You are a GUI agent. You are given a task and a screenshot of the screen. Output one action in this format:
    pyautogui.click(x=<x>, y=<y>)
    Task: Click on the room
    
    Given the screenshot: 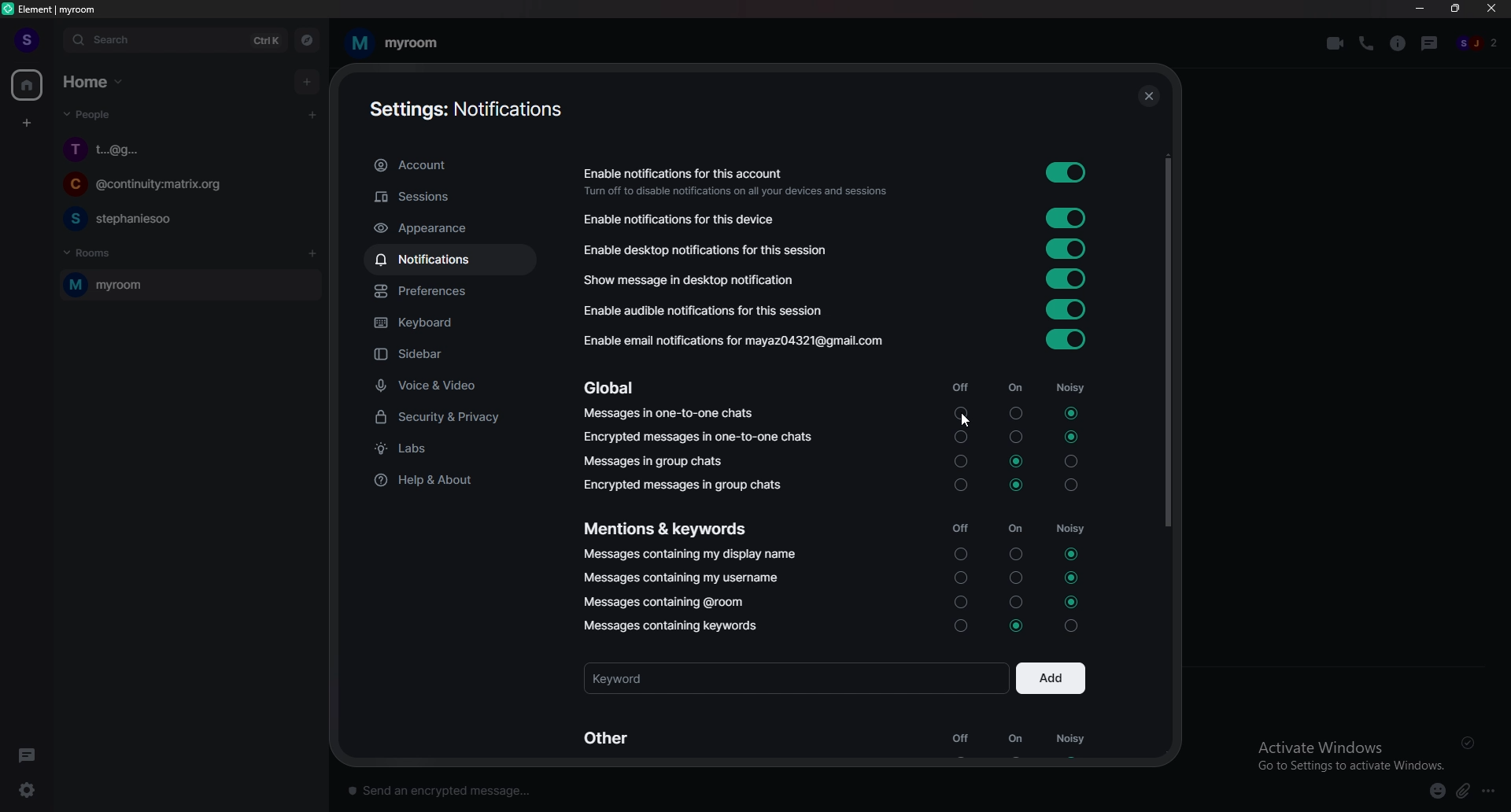 What is the action you would take?
    pyautogui.click(x=188, y=285)
    